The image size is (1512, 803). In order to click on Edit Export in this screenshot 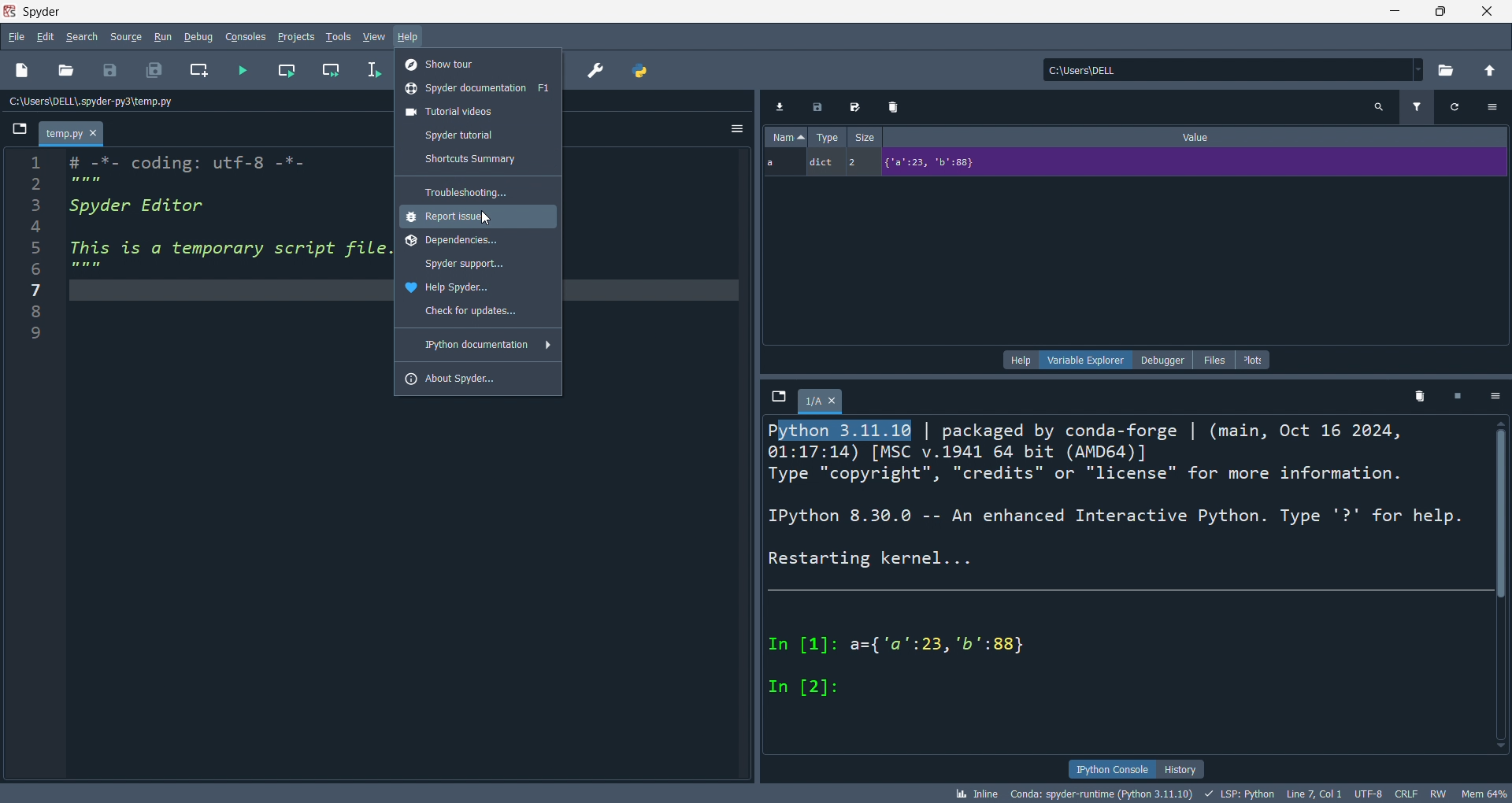, I will do `click(855, 108)`.